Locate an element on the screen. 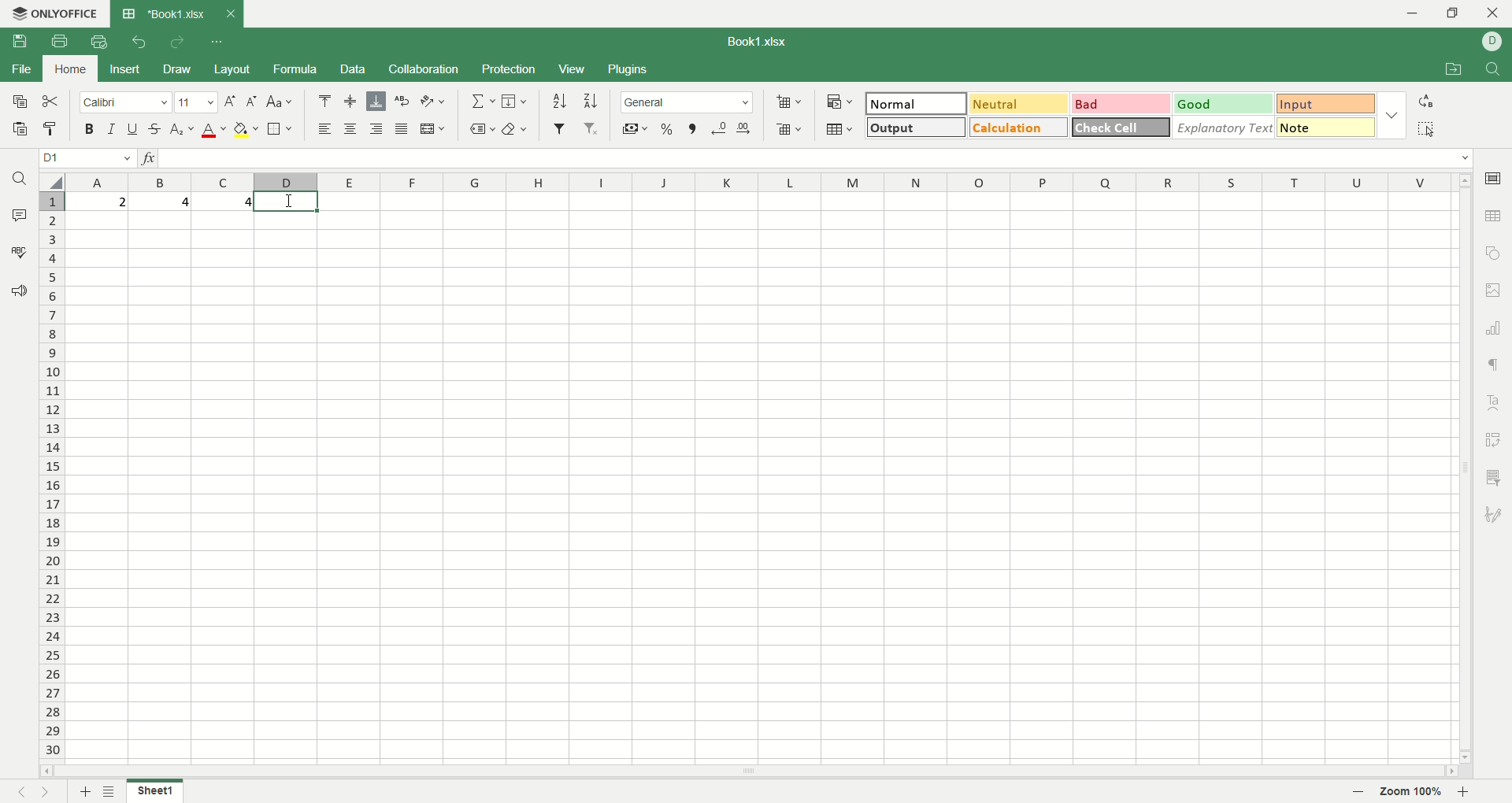 The image size is (1512, 803). account is located at coordinates (1492, 43).